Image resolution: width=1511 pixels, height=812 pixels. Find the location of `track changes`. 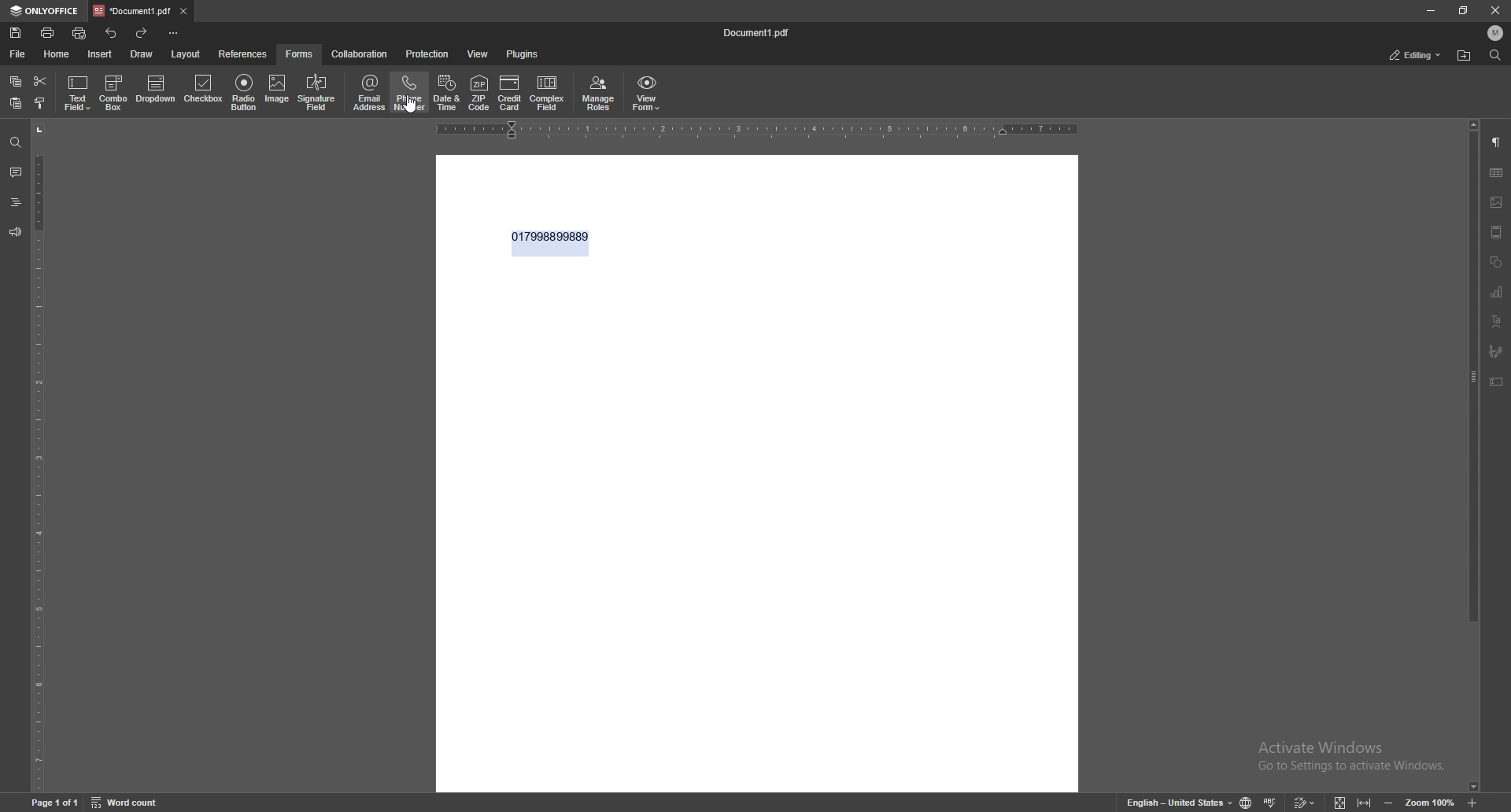

track changes is located at coordinates (1306, 803).